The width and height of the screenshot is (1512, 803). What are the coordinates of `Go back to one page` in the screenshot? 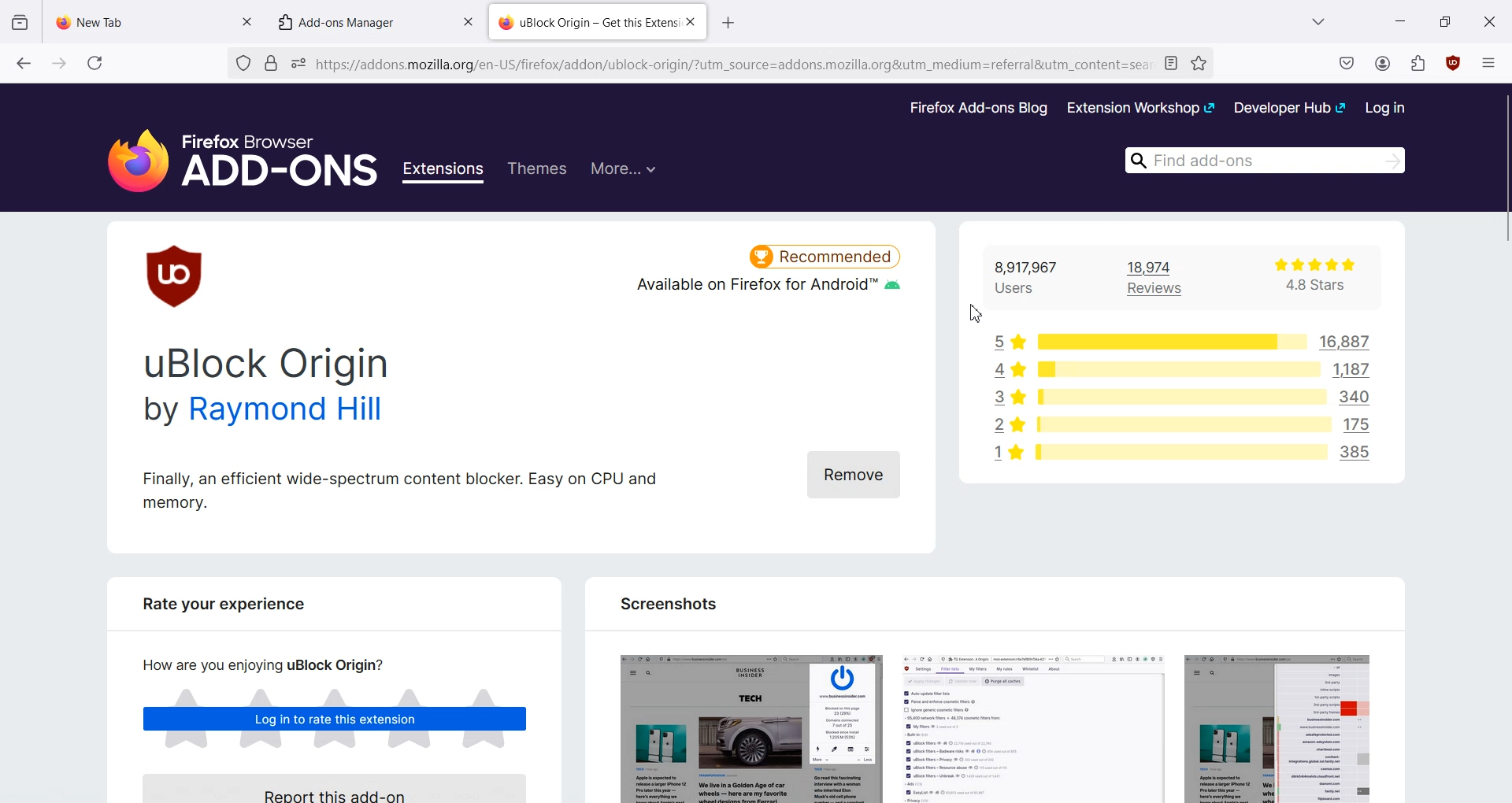 It's located at (23, 62).